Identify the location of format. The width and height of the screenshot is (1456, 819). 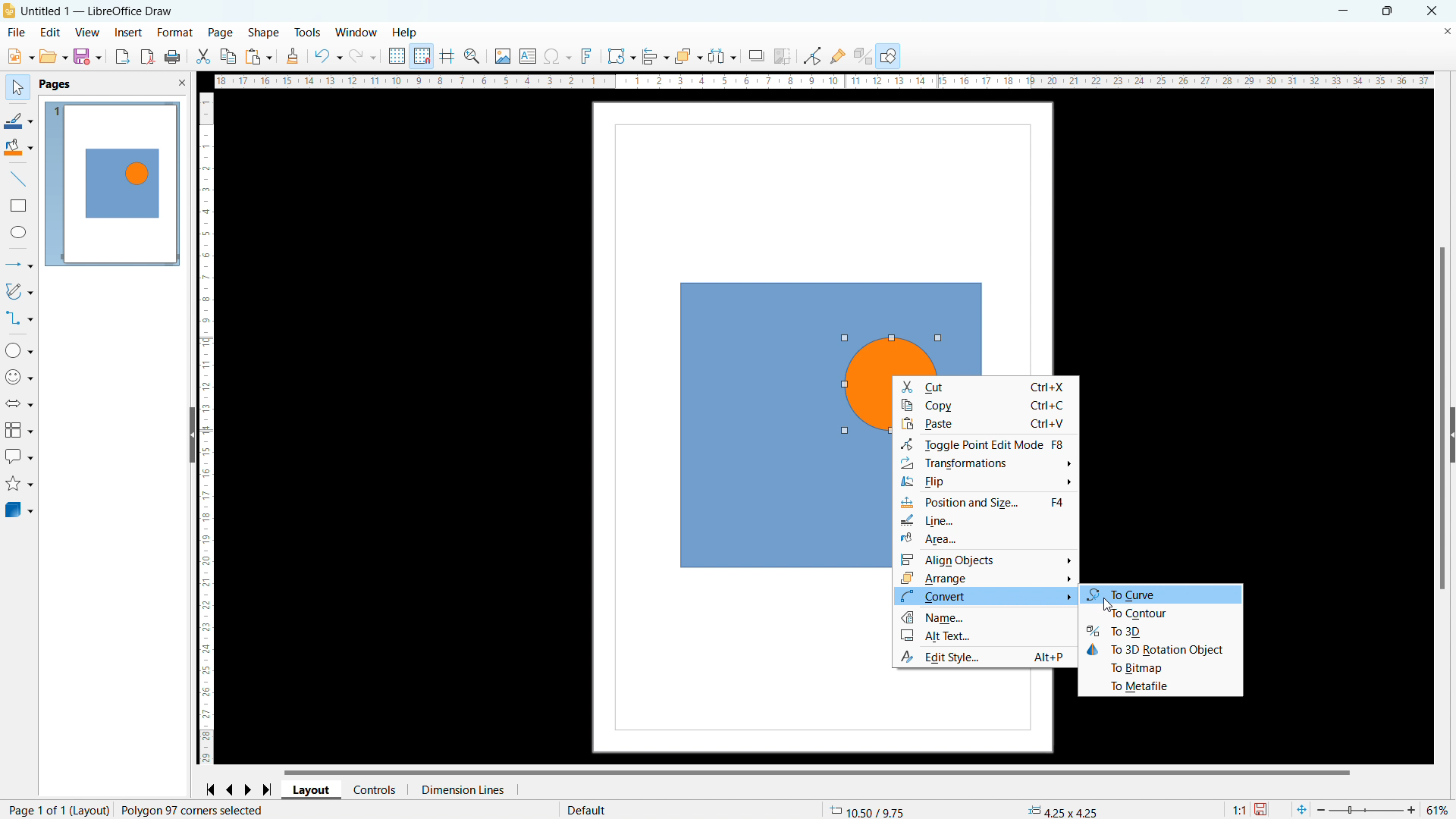
(175, 33).